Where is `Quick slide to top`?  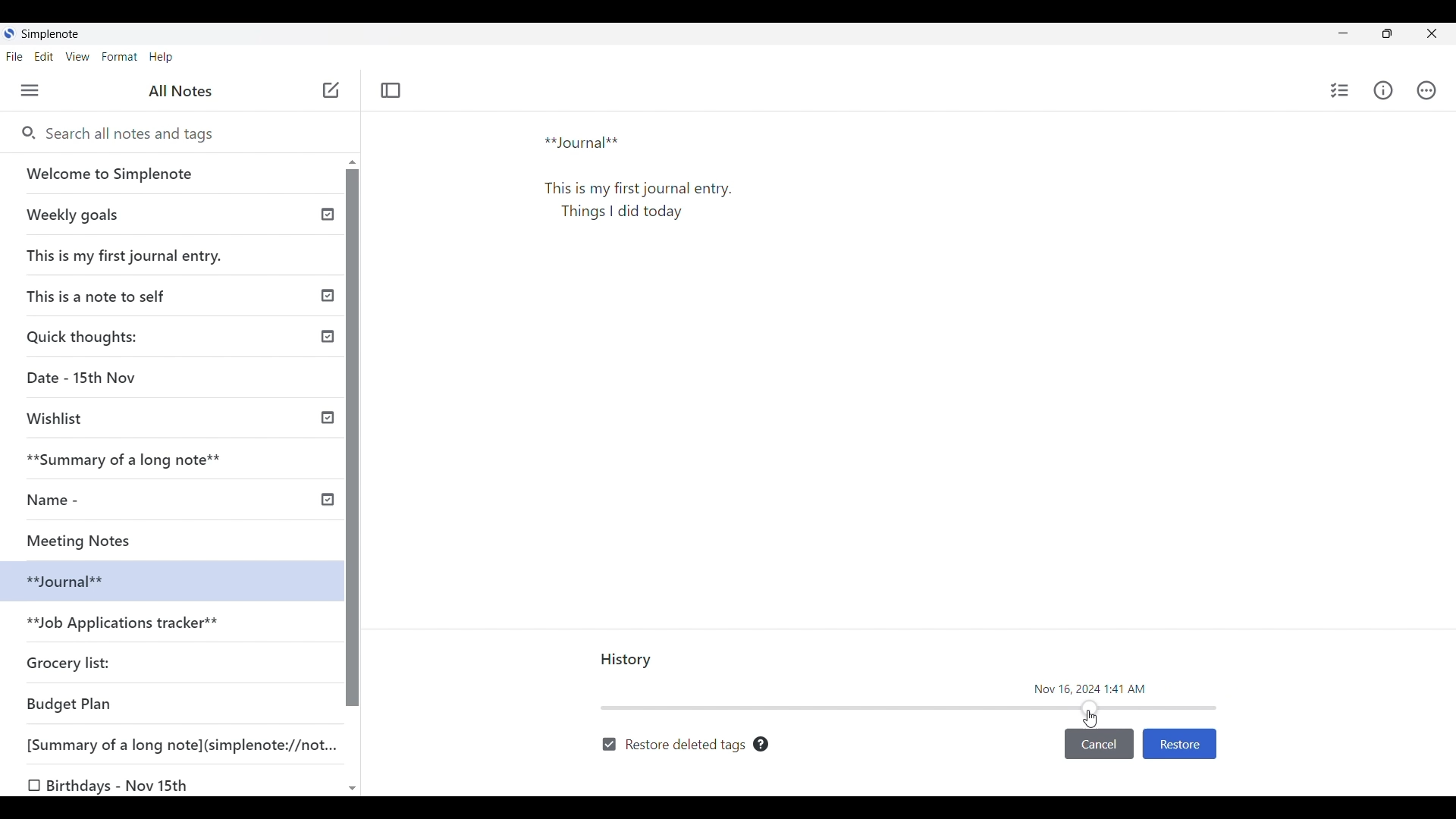
Quick slide to top is located at coordinates (353, 162).